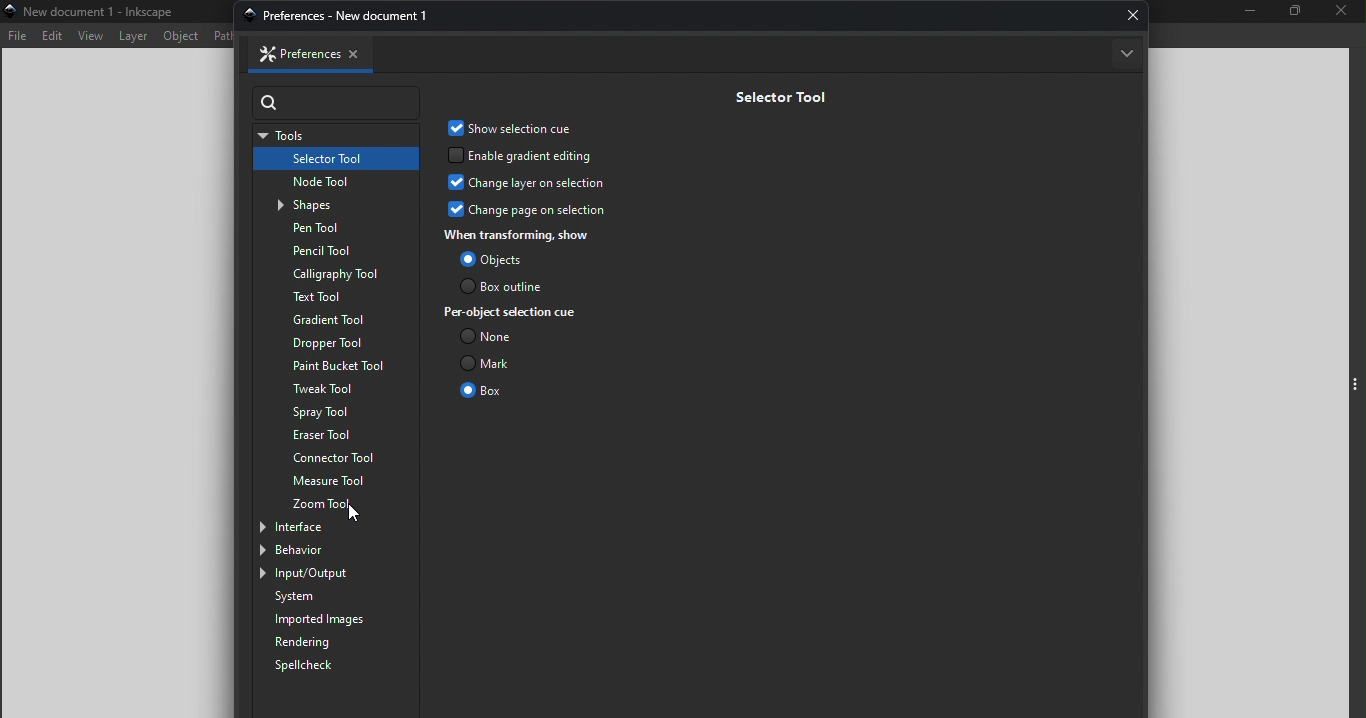  I want to click on Close, so click(1346, 12).